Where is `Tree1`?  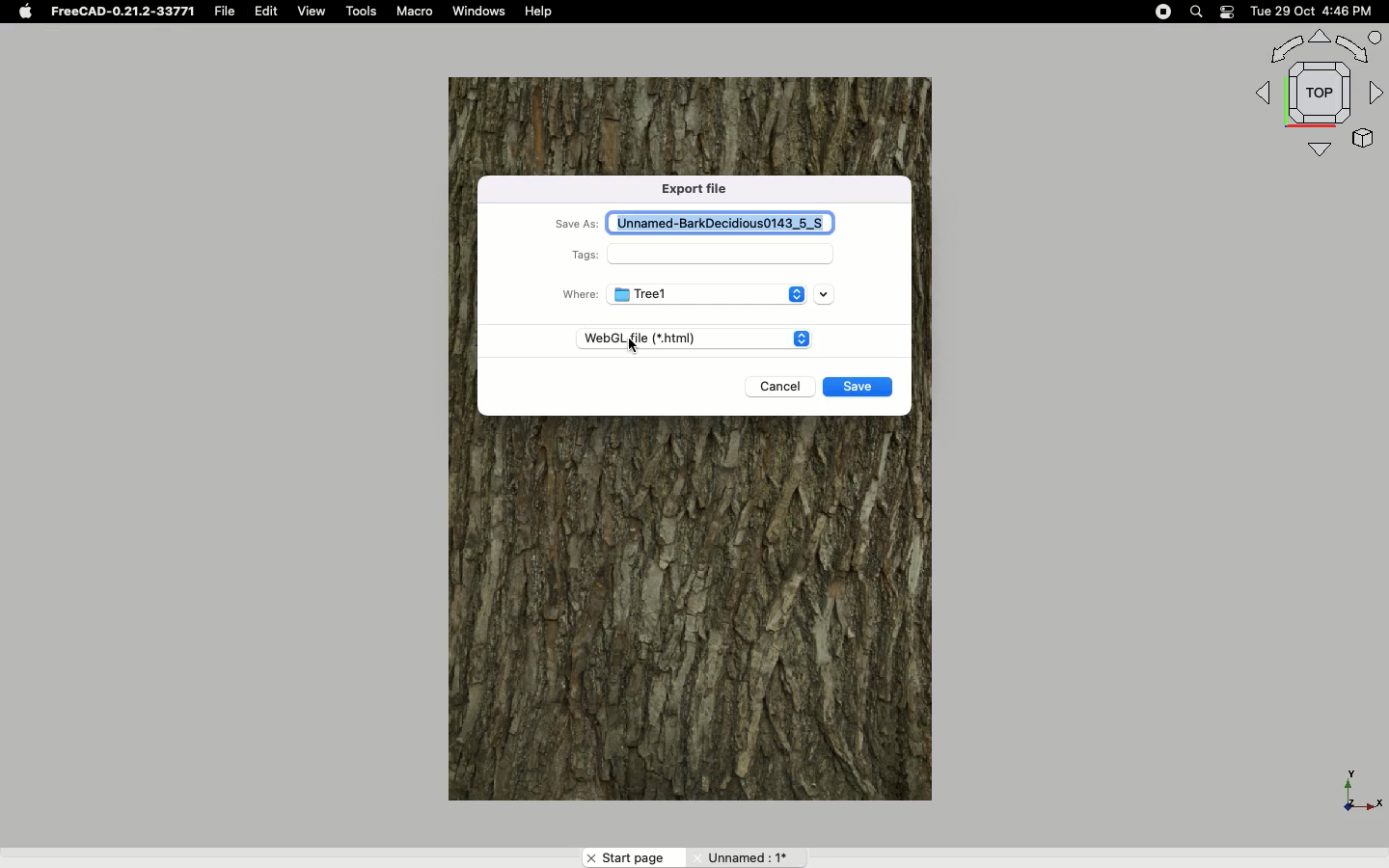 Tree1 is located at coordinates (702, 295).